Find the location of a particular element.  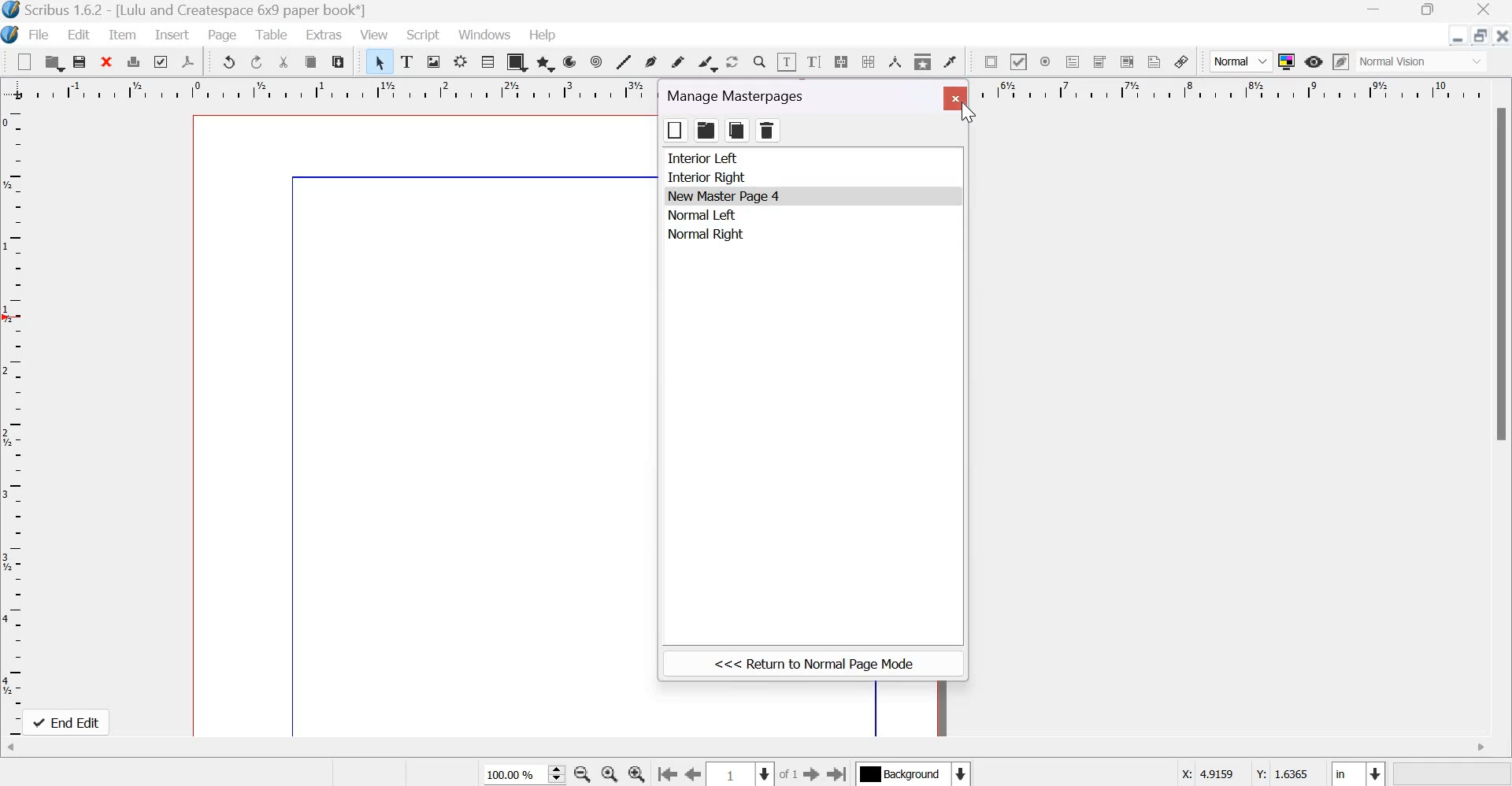

Scribus 1.6.2 - [Document Template: Lulu and Createspace 6*9 paper book] is located at coordinates (250, 10).